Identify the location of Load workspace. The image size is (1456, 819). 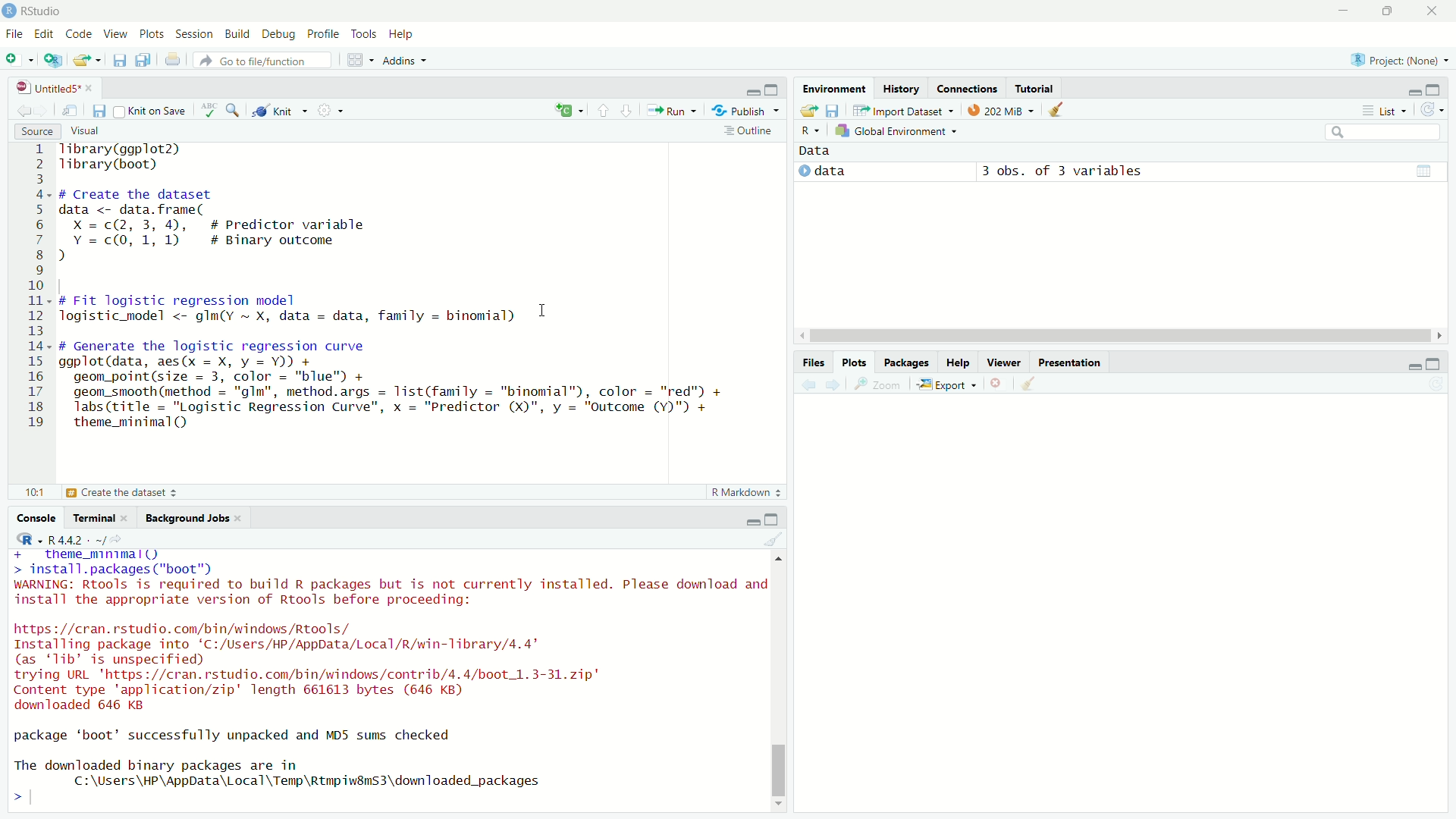
(808, 111).